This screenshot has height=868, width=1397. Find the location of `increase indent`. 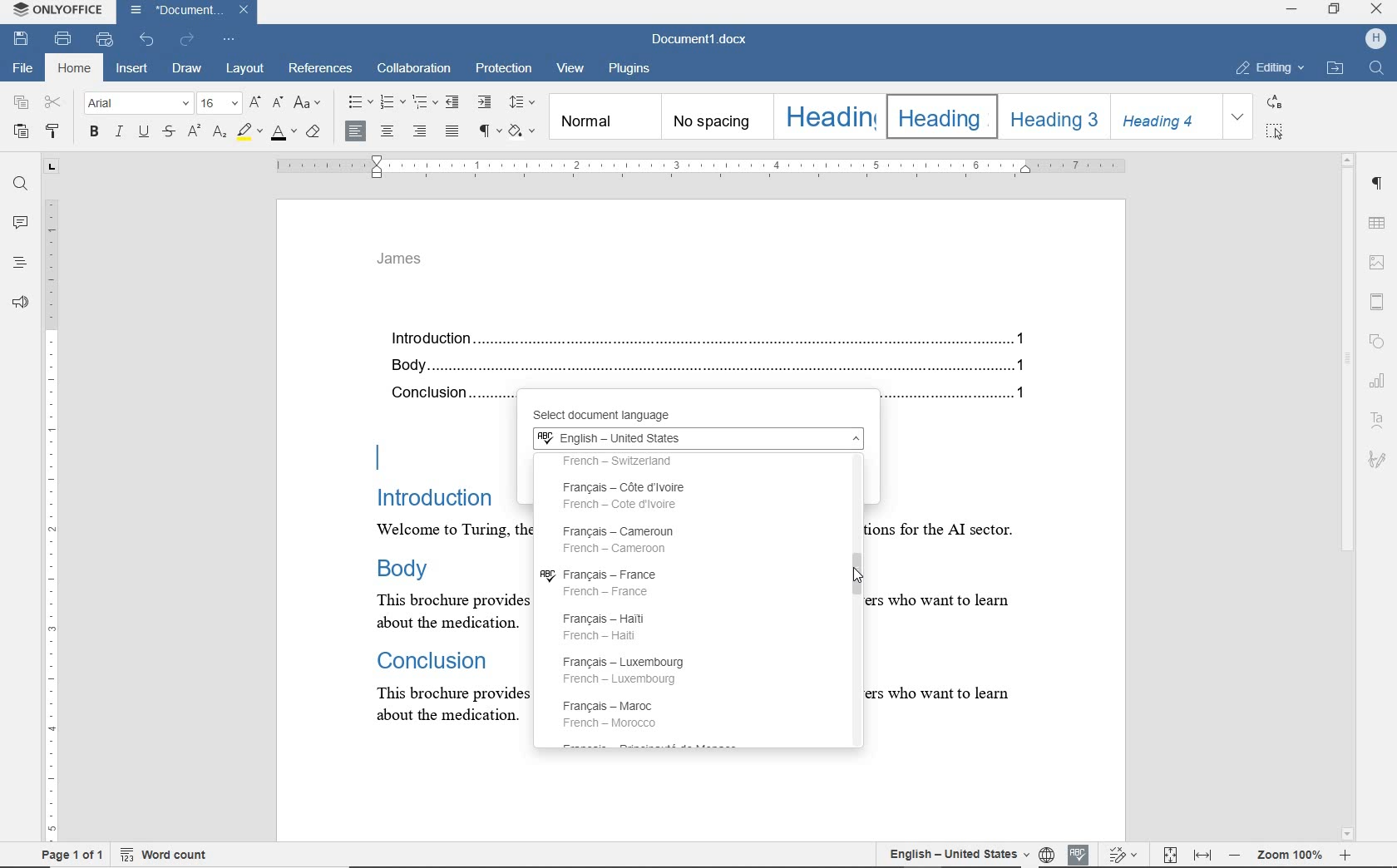

increase indent is located at coordinates (483, 101).